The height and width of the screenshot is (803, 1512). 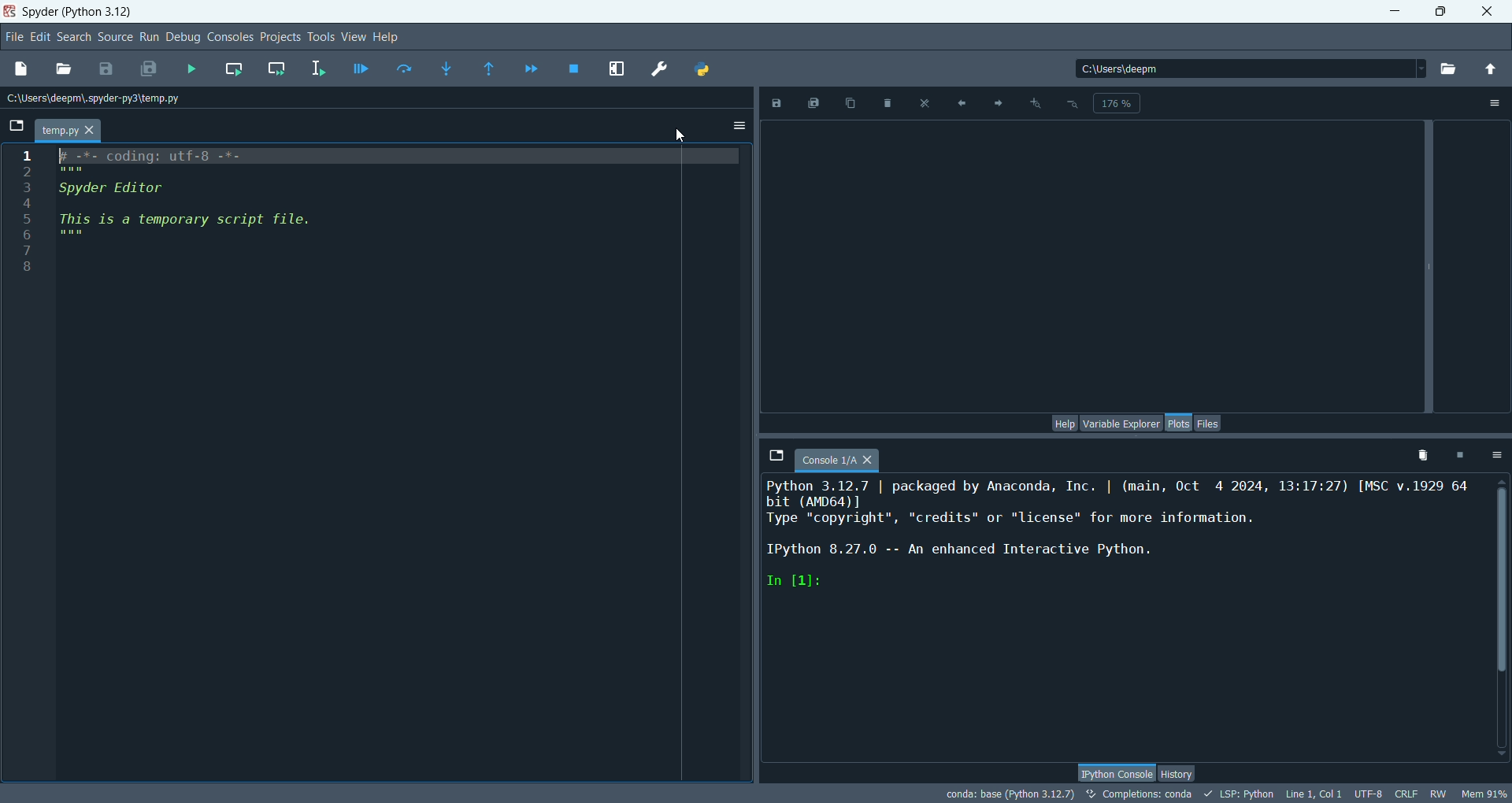 I want to click on maximize current pane, so click(x=616, y=69).